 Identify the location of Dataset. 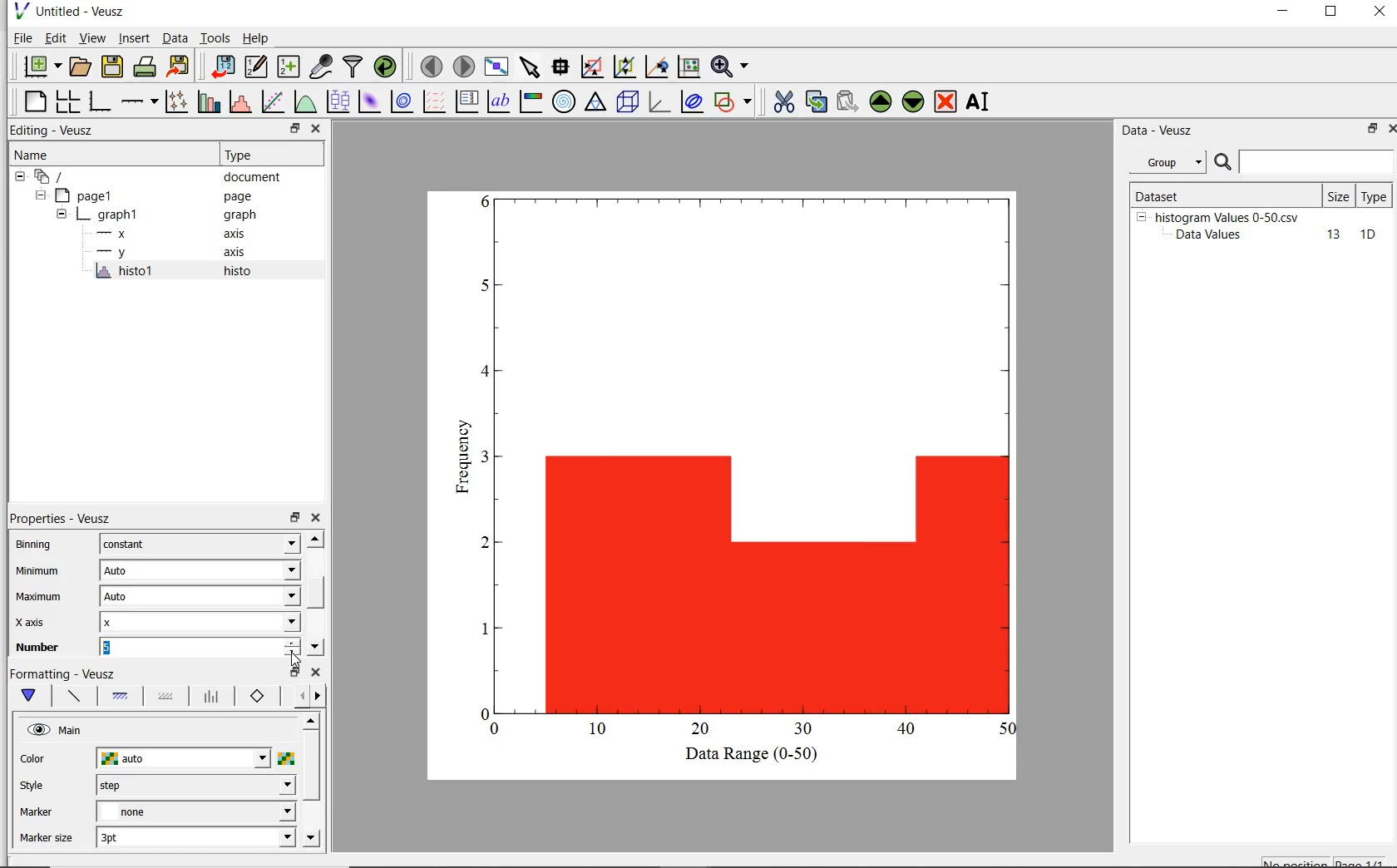
(1184, 194).